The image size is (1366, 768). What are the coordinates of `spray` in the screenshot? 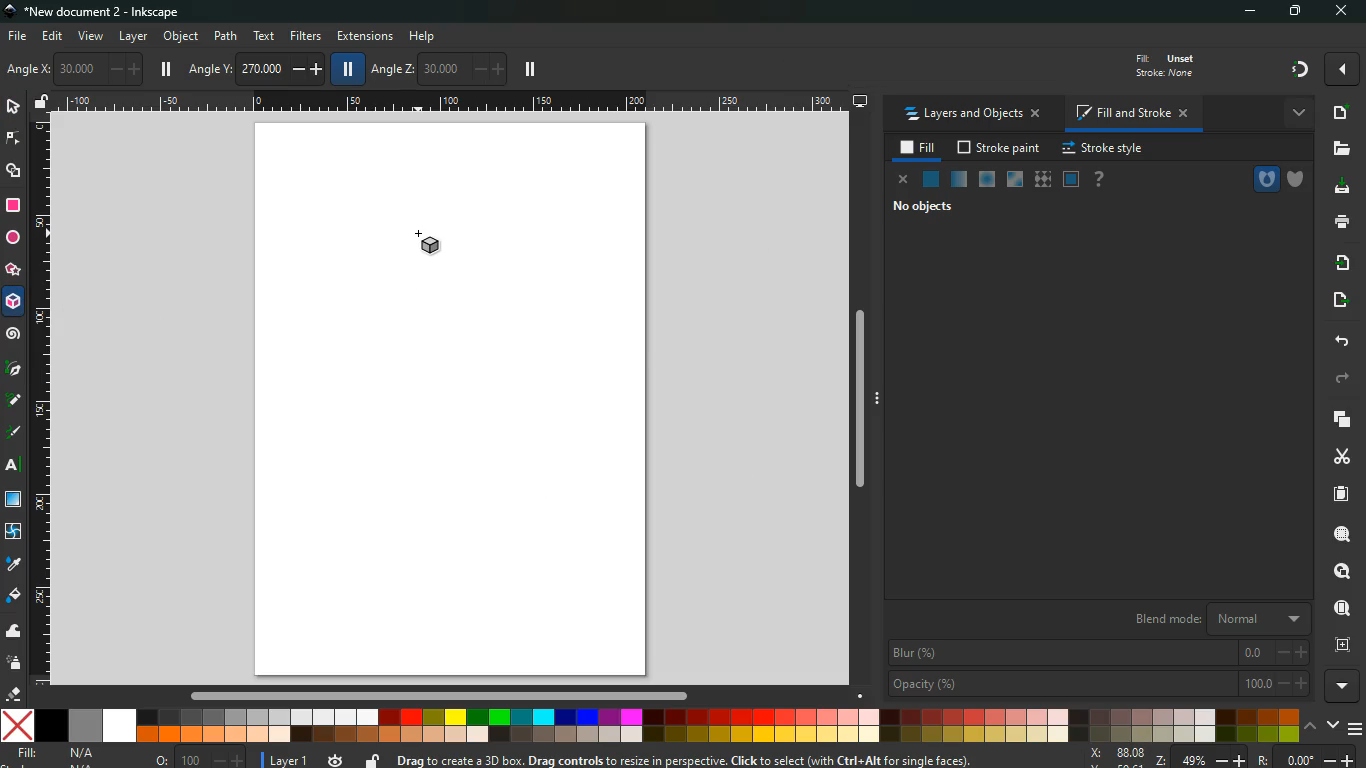 It's located at (14, 662).